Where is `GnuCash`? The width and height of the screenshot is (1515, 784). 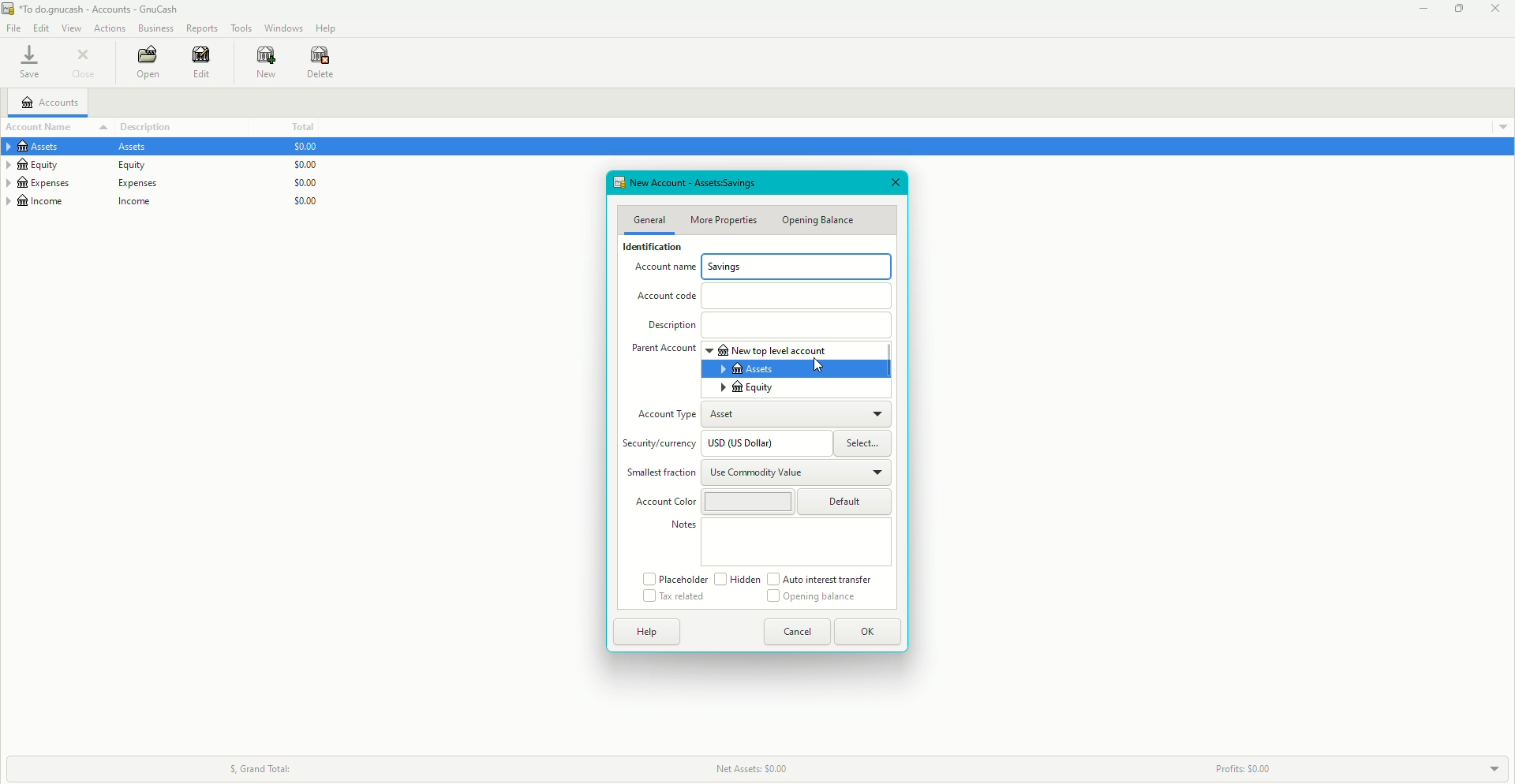
GnuCash is located at coordinates (93, 10).